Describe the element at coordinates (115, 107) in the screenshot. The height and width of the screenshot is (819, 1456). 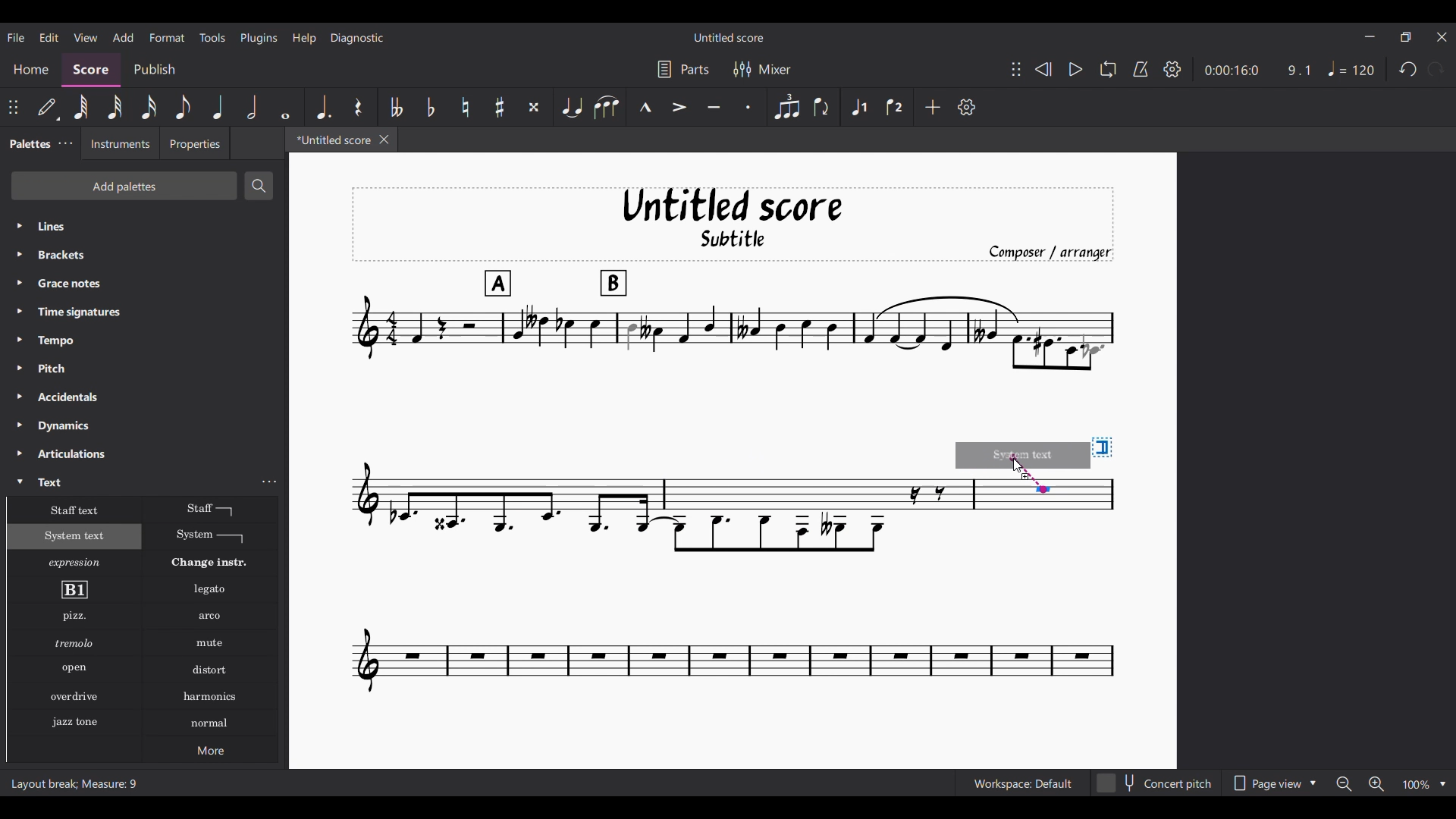
I see `32nd note` at that location.